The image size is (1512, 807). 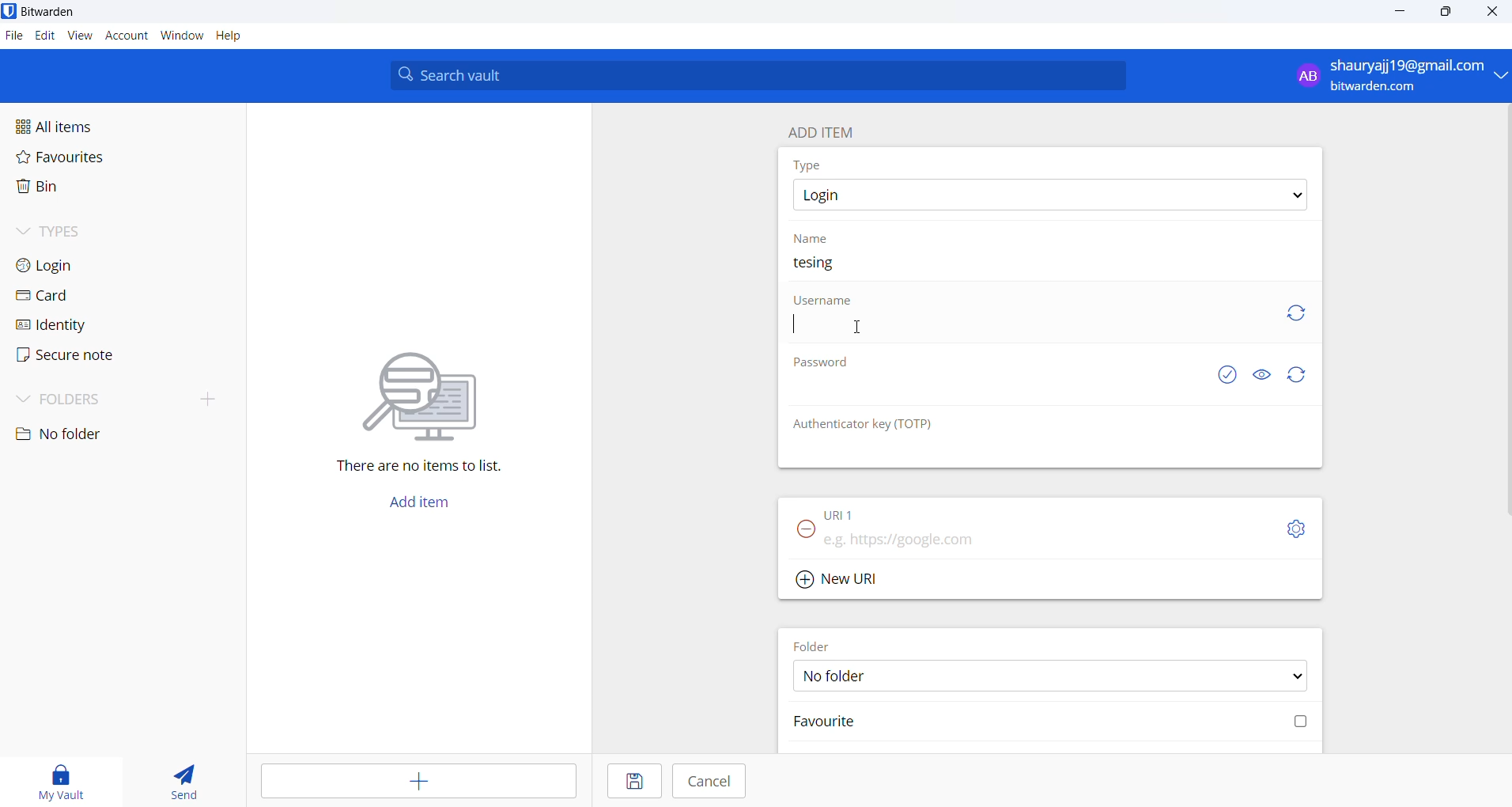 What do you see at coordinates (44, 36) in the screenshot?
I see `Edit` at bounding box center [44, 36].